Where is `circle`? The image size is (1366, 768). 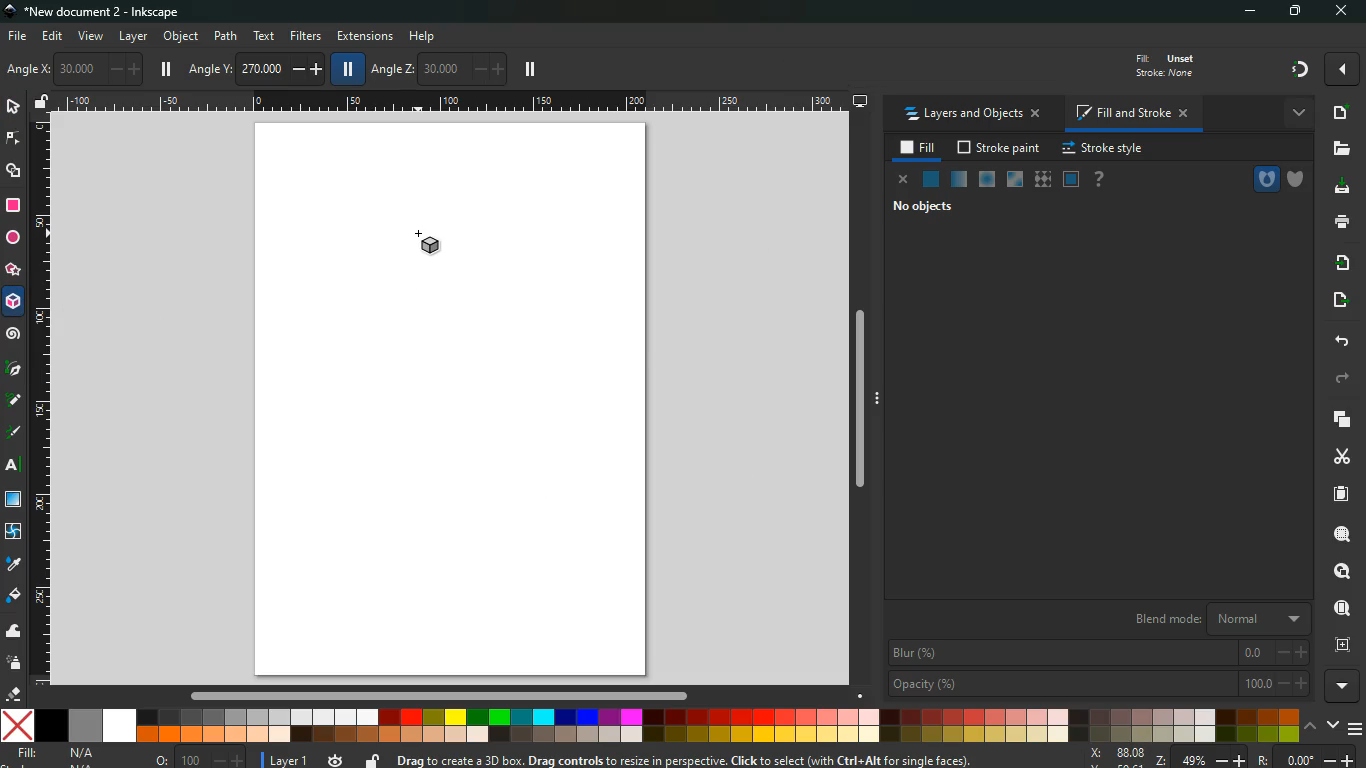 circle is located at coordinates (13, 240).